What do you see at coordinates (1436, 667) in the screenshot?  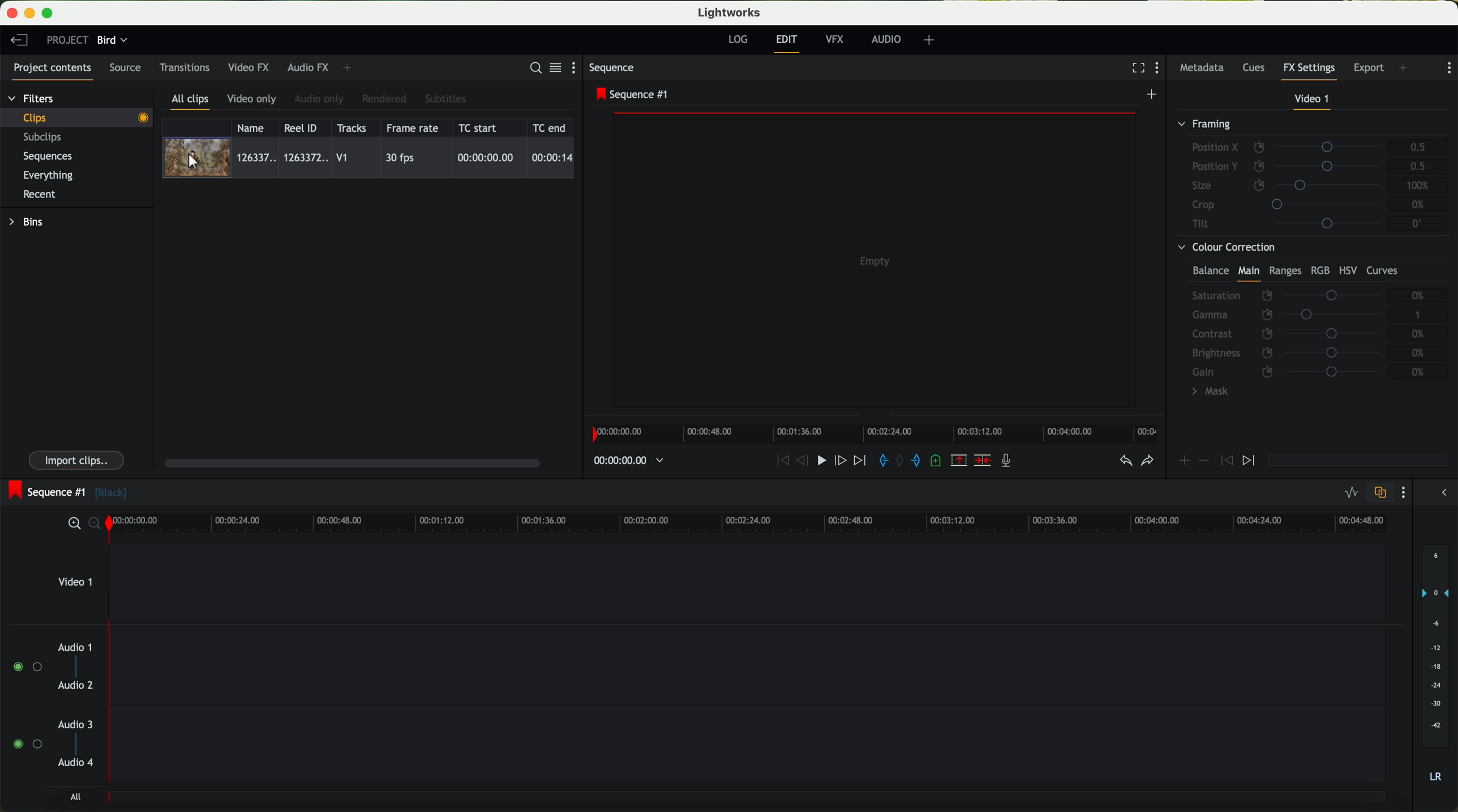 I see `audio output level (d/B)` at bounding box center [1436, 667].